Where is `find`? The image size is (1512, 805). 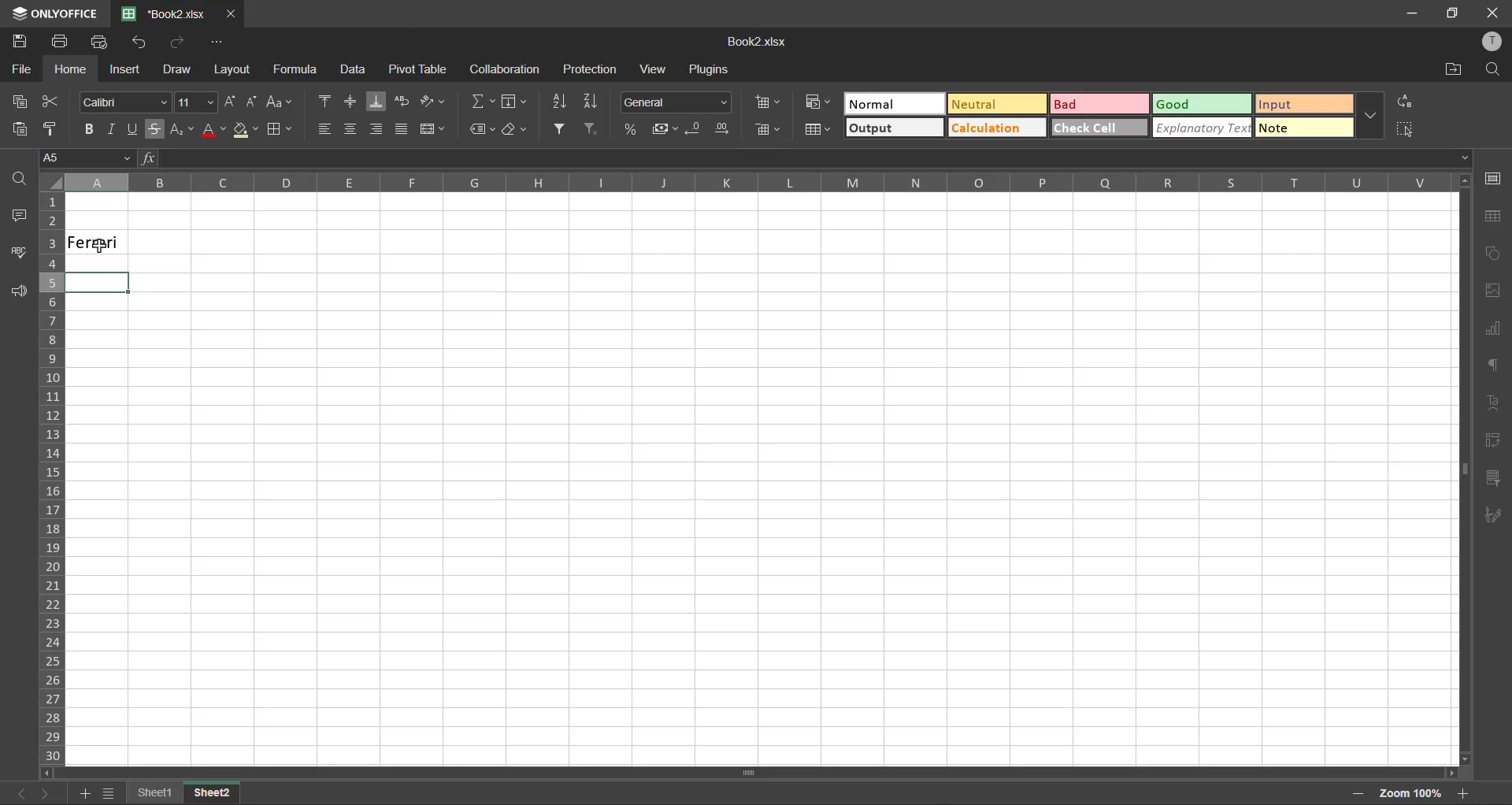
find is located at coordinates (21, 182).